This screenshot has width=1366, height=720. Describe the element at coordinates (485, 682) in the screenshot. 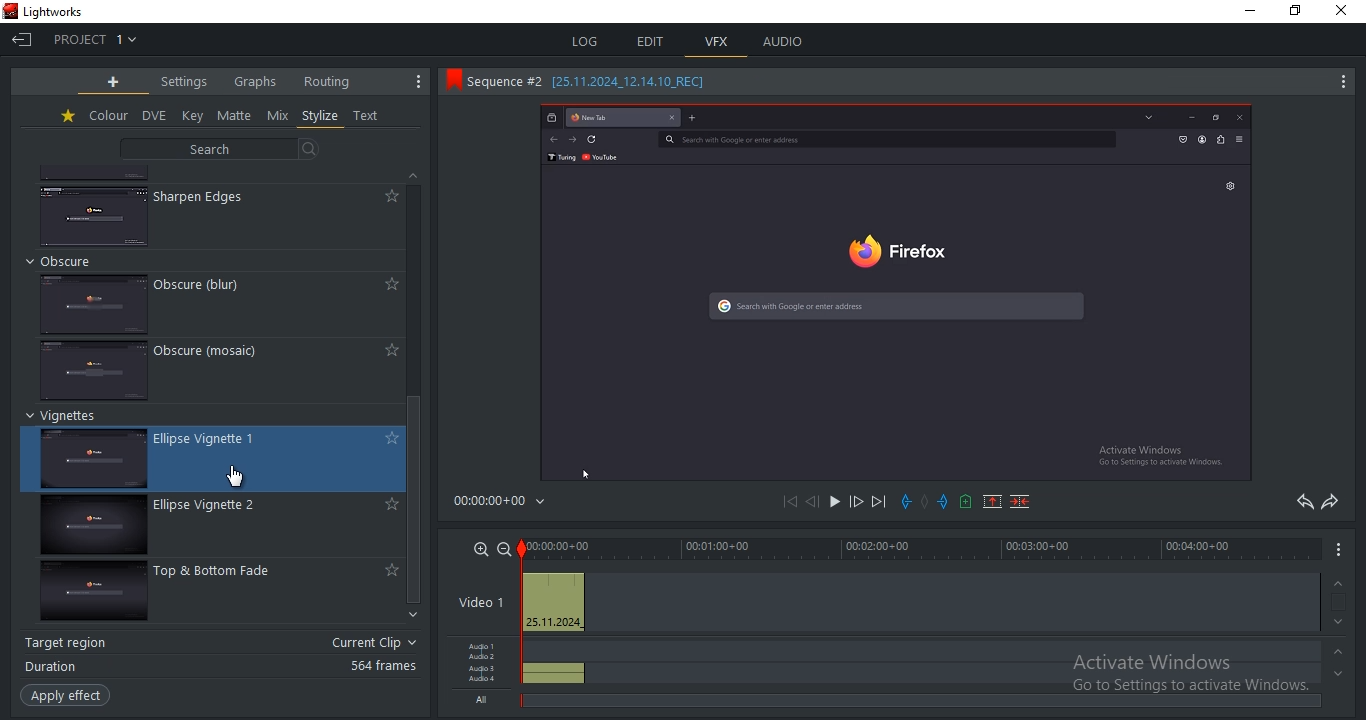

I see `Audio 4` at that location.